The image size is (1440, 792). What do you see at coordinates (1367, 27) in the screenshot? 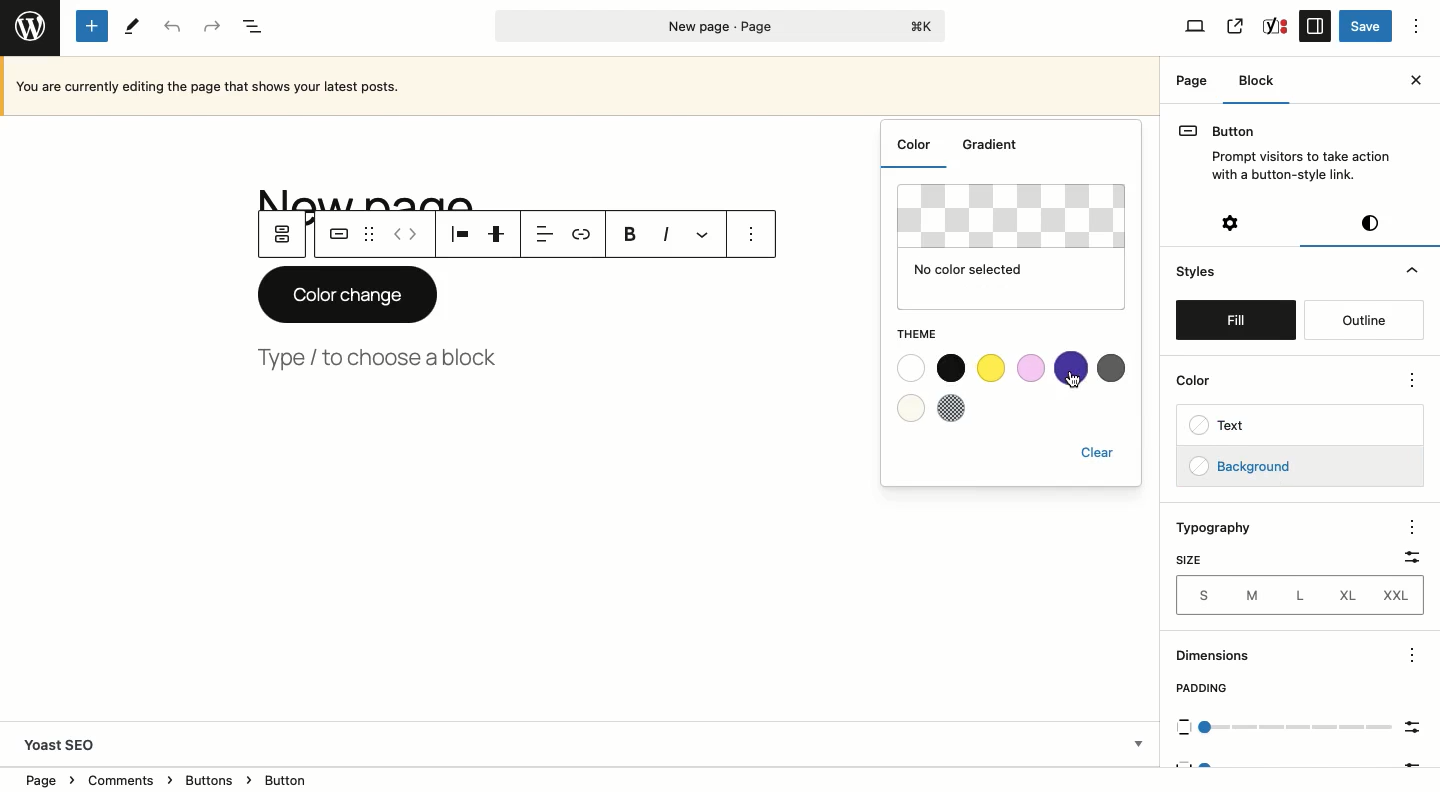
I see `Save` at bounding box center [1367, 27].